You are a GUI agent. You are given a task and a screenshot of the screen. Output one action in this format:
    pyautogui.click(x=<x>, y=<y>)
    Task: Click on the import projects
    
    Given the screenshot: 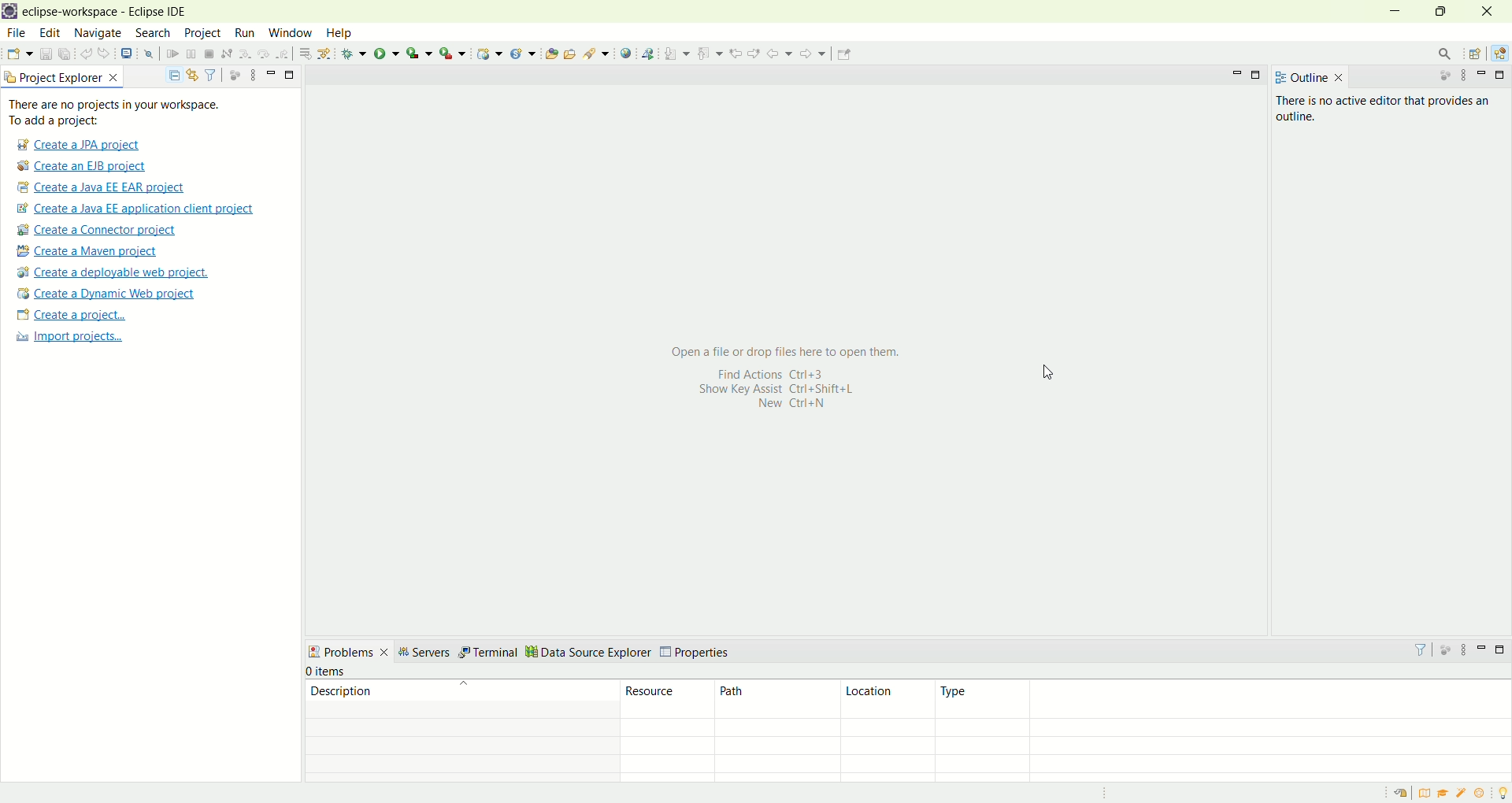 What is the action you would take?
    pyautogui.click(x=76, y=339)
    